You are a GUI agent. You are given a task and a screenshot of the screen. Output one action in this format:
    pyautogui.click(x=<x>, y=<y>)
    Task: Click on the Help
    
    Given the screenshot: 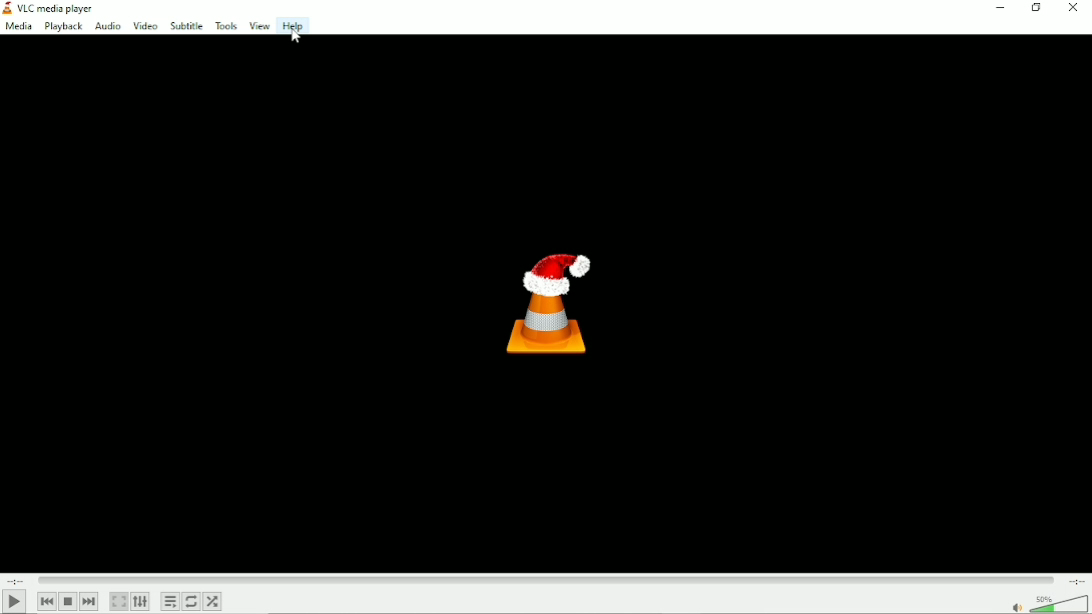 What is the action you would take?
    pyautogui.click(x=294, y=26)
    